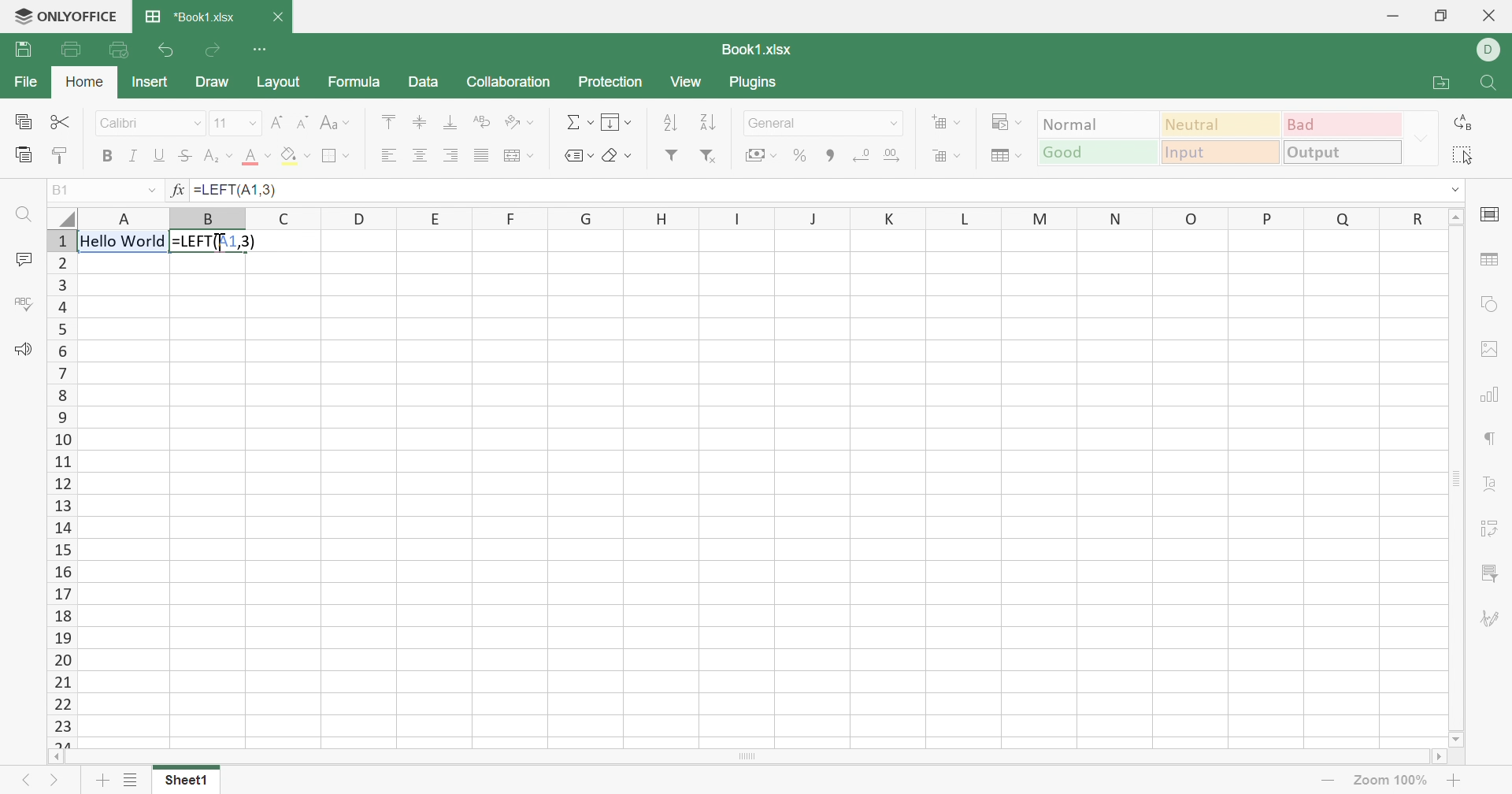 The width and height of the screenshot is (1512, 794). What do you see at coordinates (744, 757) in the screenshot?
I see `Scroll bar` at bounding box center [744, 757].